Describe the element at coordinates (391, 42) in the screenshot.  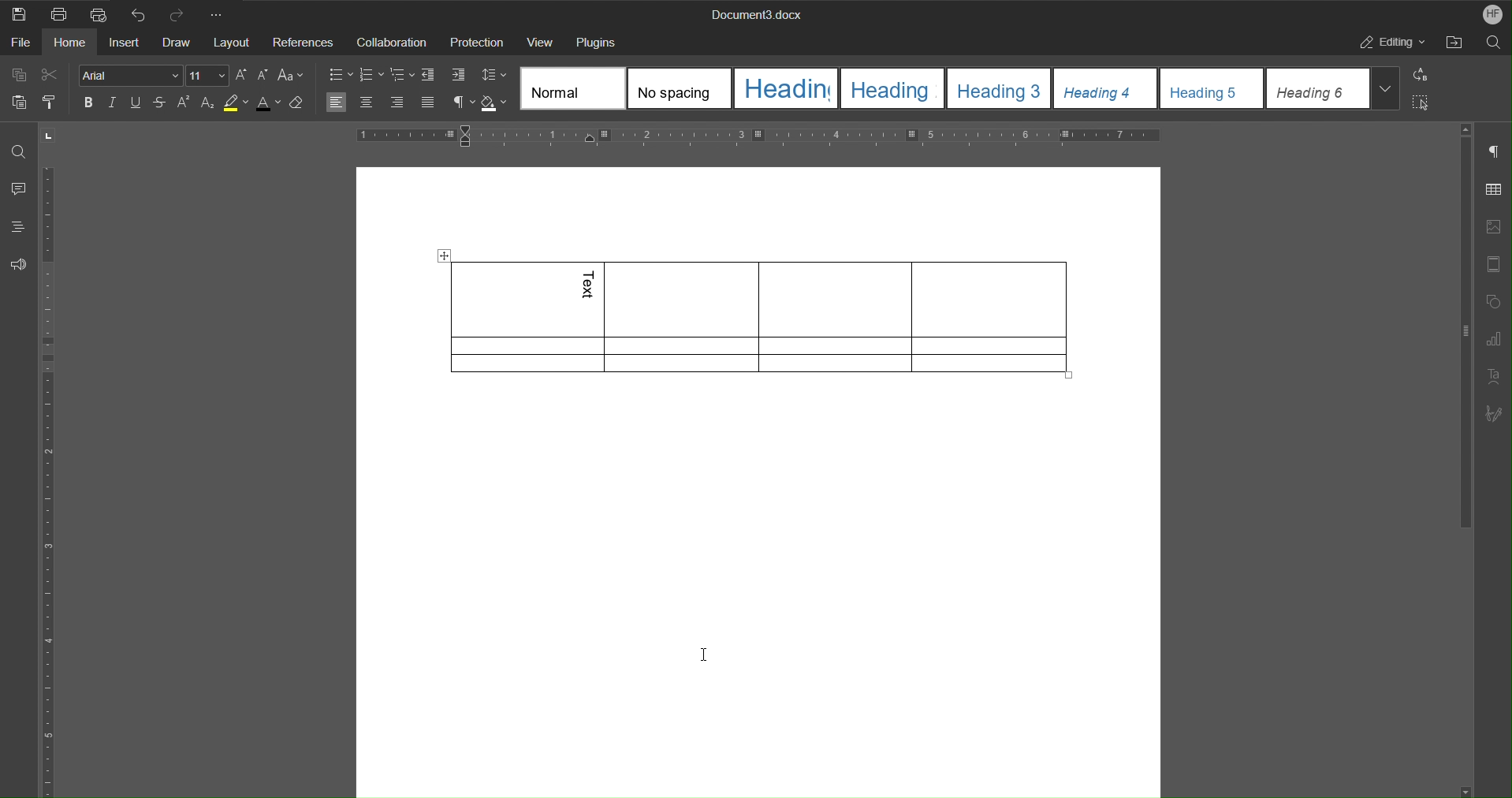
I see `Collaboration` at that location.